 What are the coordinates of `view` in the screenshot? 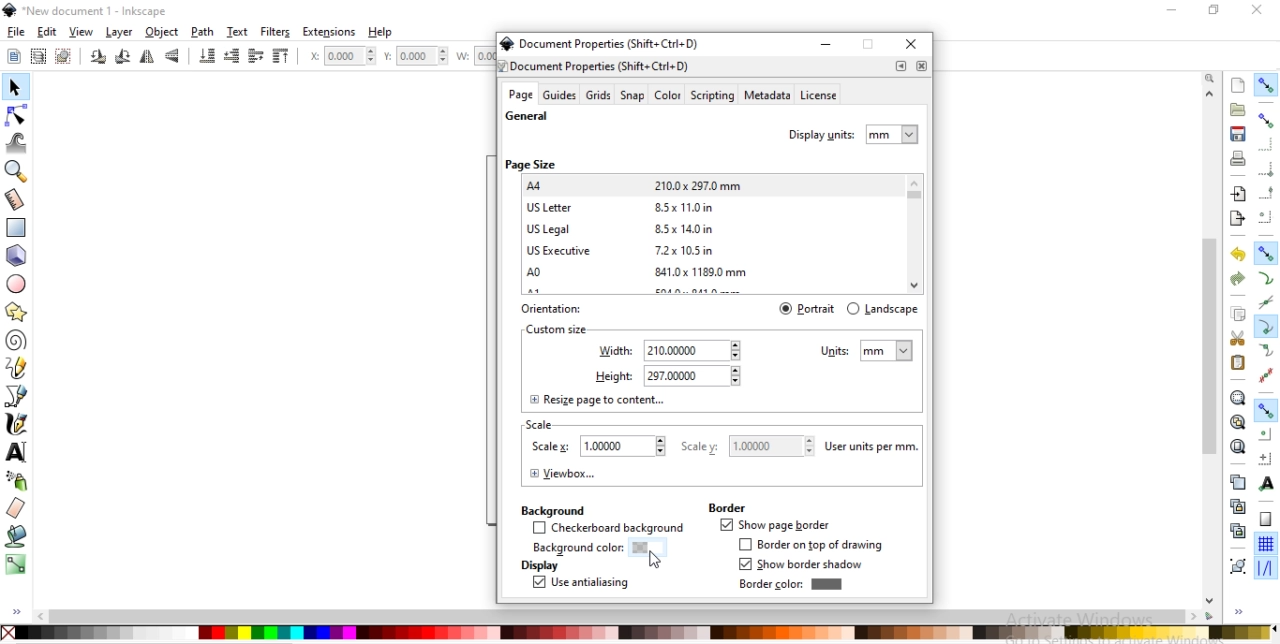 It's located at (82, 32).